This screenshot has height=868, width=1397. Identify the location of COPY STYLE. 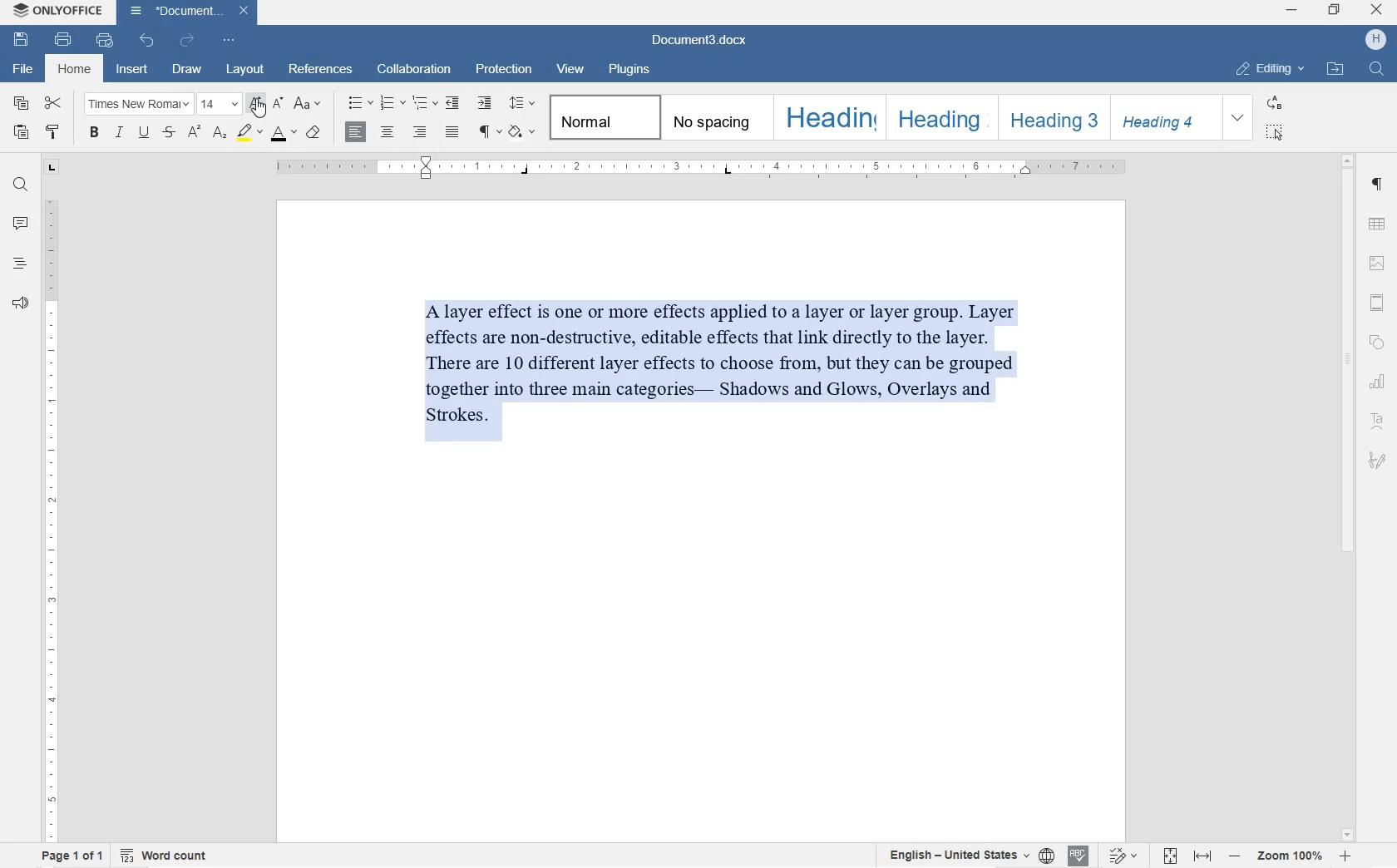
(54, 131).